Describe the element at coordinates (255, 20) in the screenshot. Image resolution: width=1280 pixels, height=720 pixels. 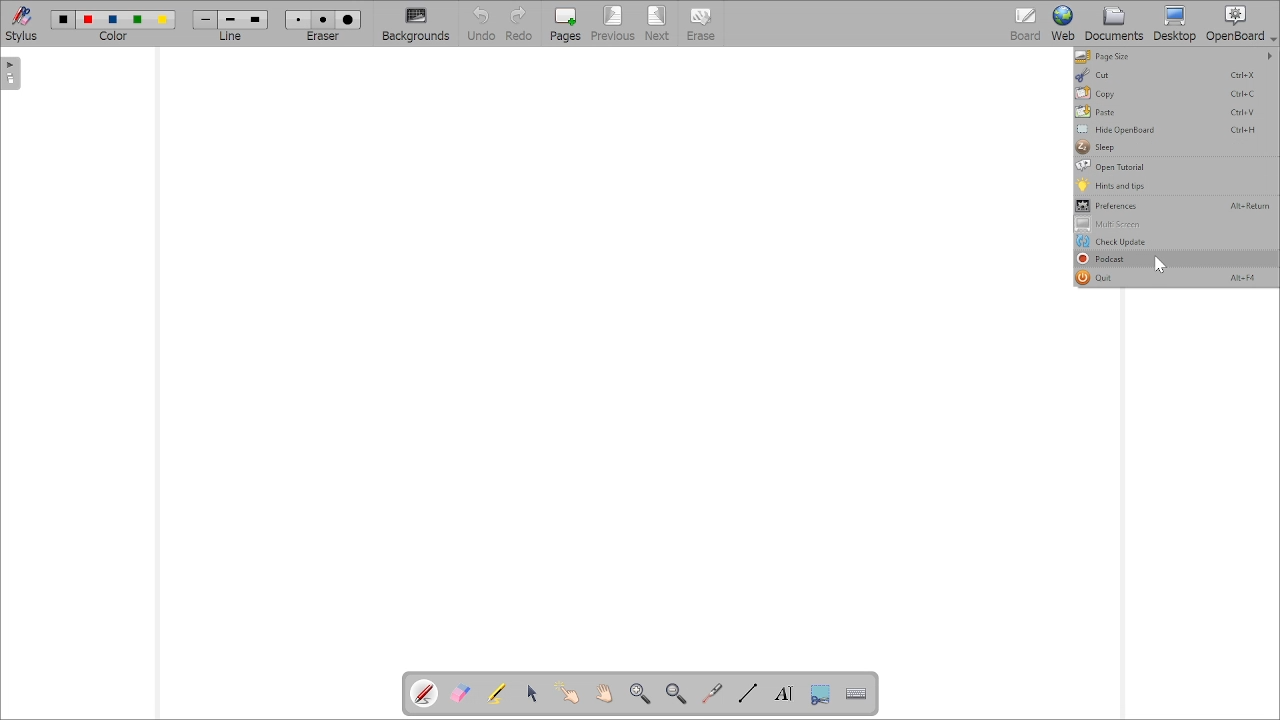
I see `line3` at that location.